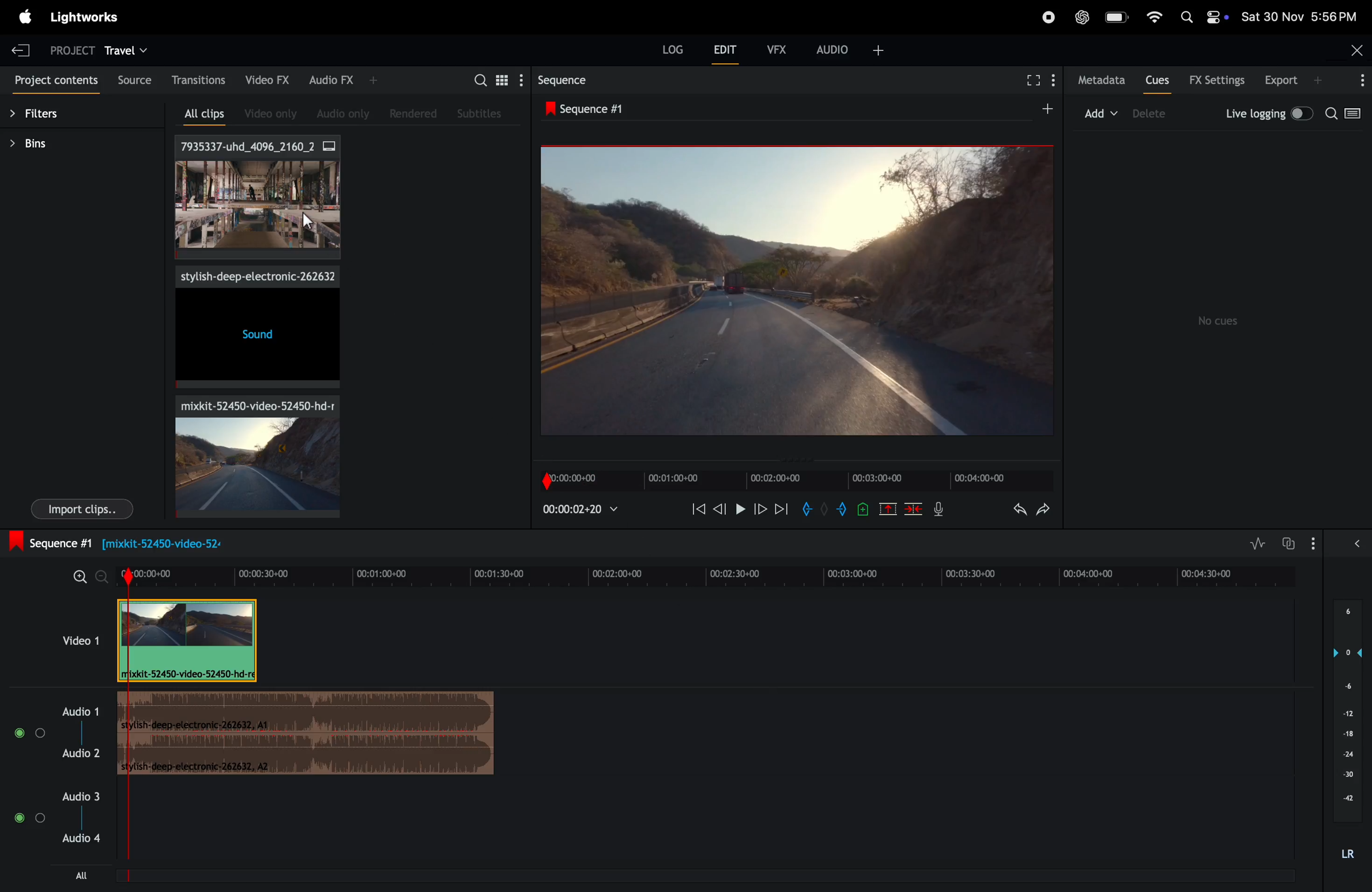 The width and height of the screenshot is (1372, 892). Describe the element at coordinates (1099, 112) in the screenshot. I see `add` at that location.